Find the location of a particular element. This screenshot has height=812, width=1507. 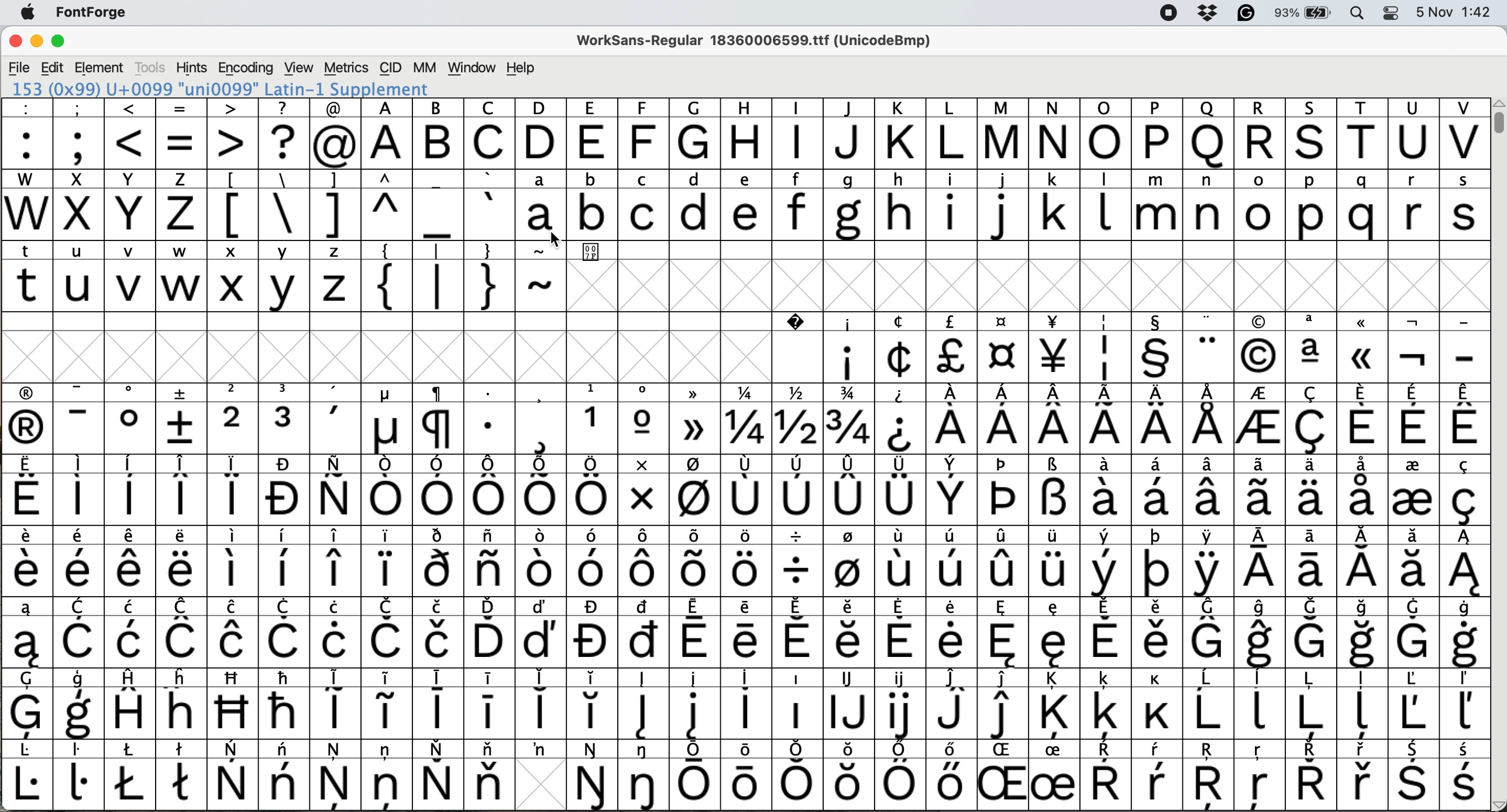

 is located at coordinates (1364, 347).